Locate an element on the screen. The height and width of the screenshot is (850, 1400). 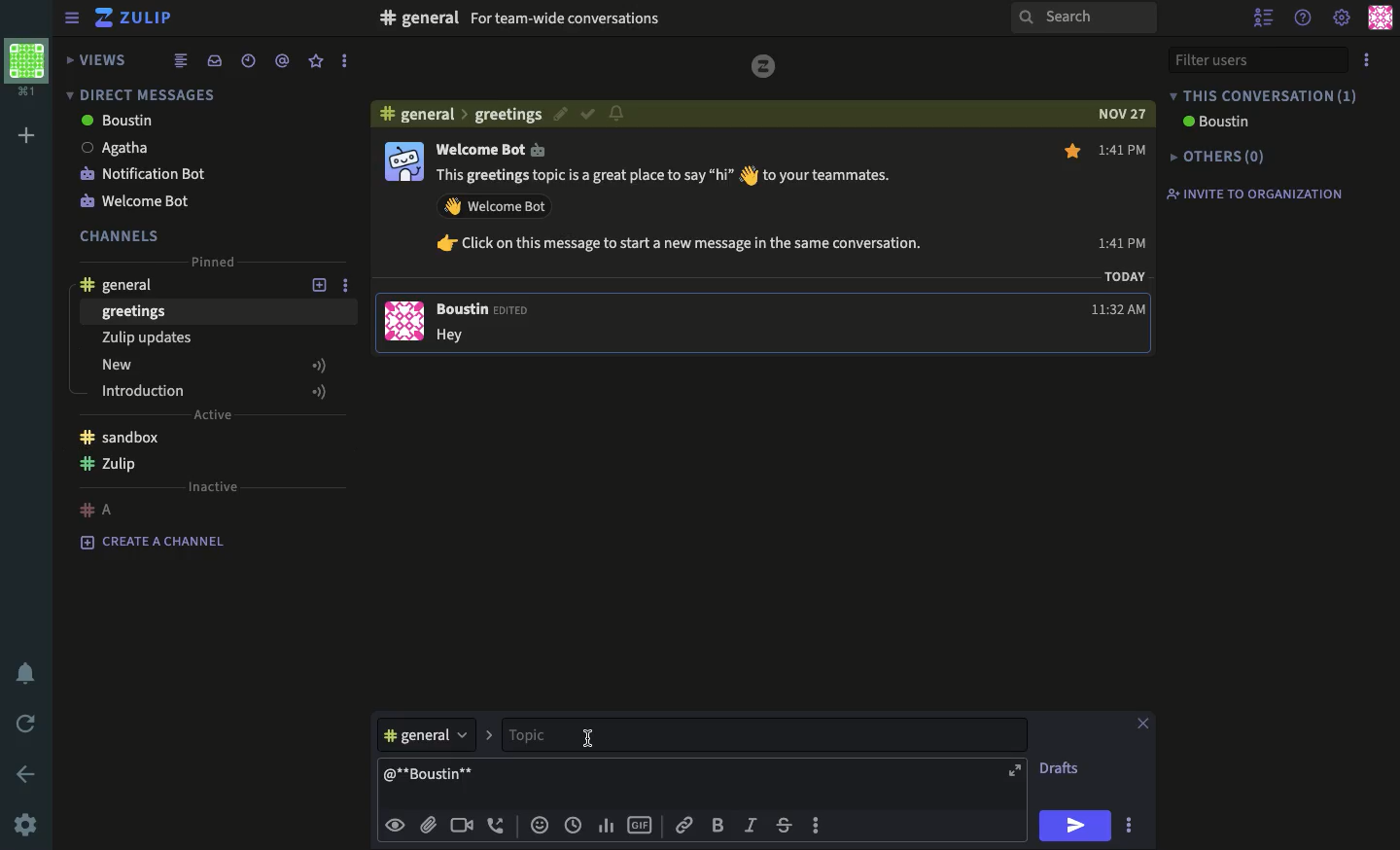
NOV 27 is located at coordinates (1125, 115).